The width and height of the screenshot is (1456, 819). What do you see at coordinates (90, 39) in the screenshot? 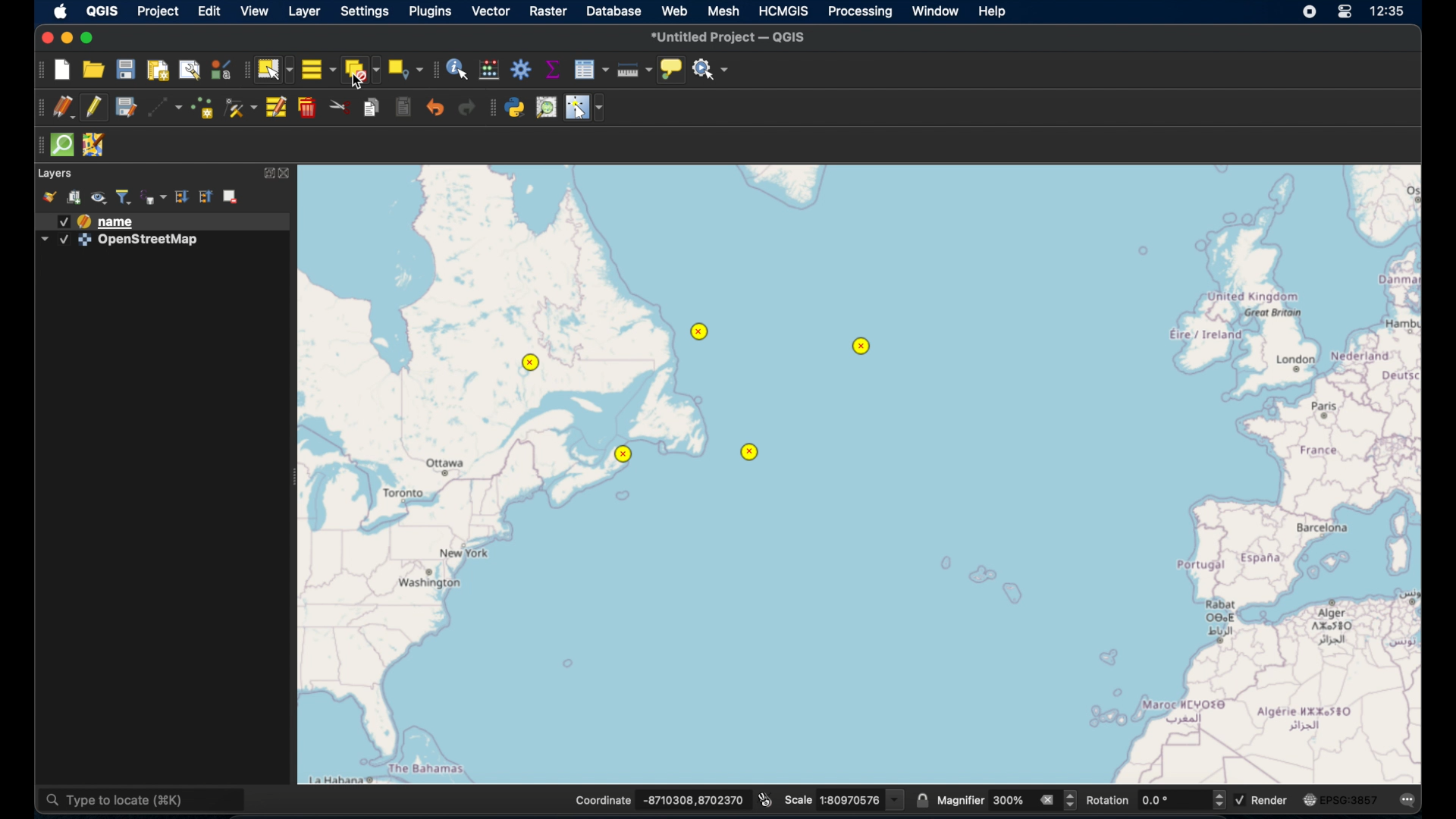
I see `maximize` at bounding box center [90, 39].